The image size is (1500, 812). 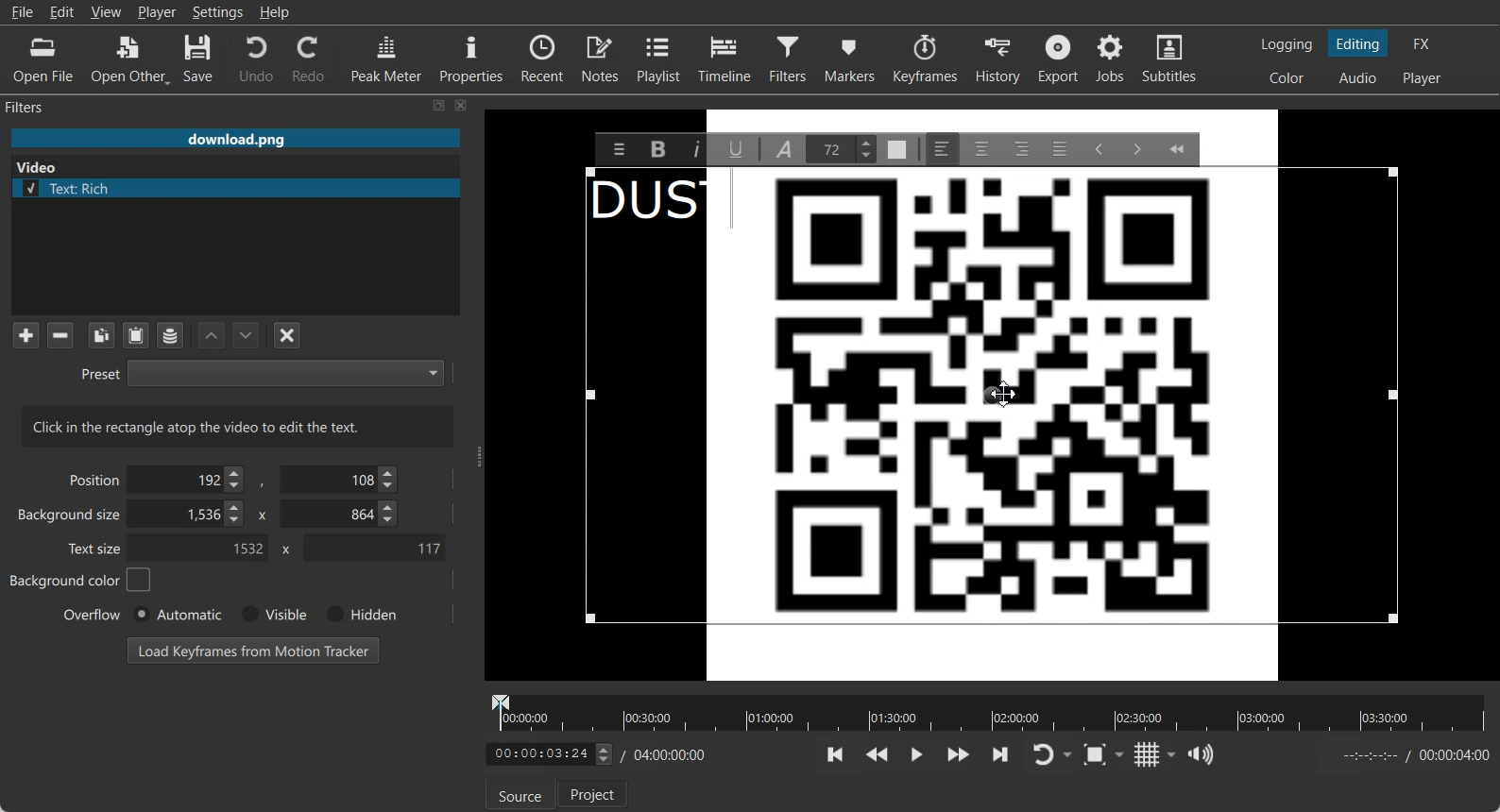 What do you see at coordinates (235, 138) in the screenshot?
I see `File` at bounding box center [235, 138].